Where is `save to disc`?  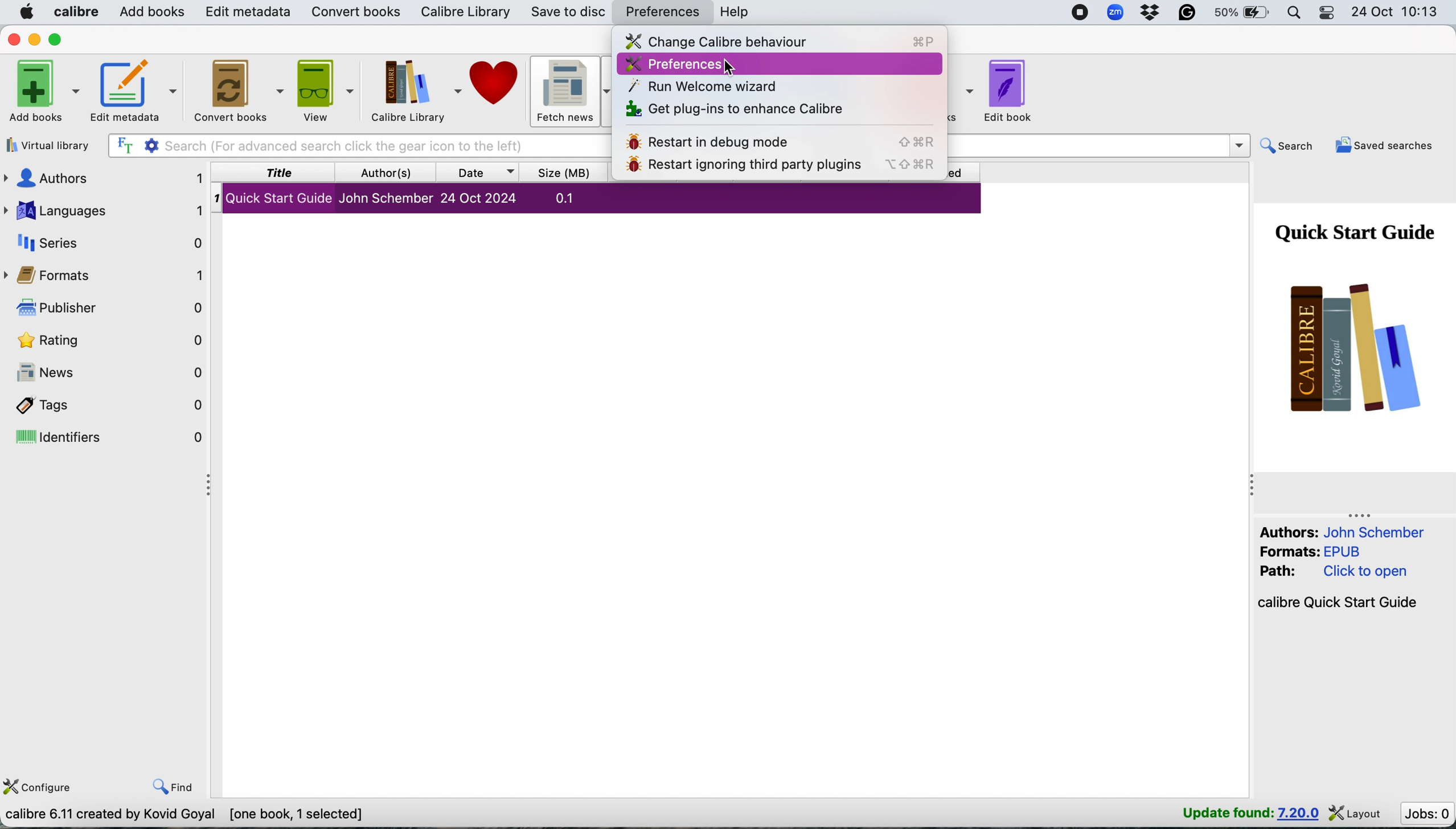
save to disc is located at coordinates (566, 13).